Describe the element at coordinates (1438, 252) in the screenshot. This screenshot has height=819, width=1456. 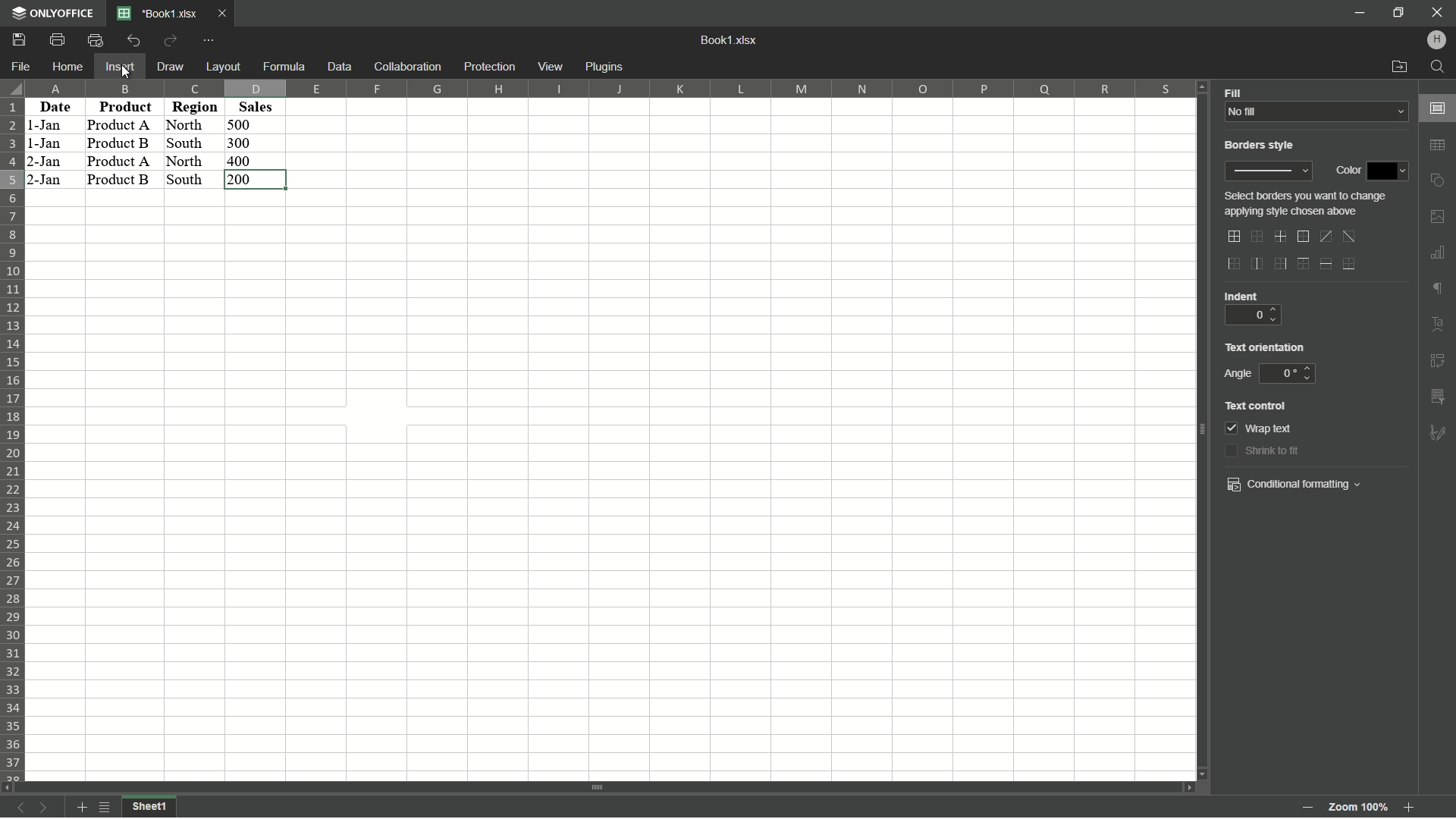
I see `insert chart` at that location.